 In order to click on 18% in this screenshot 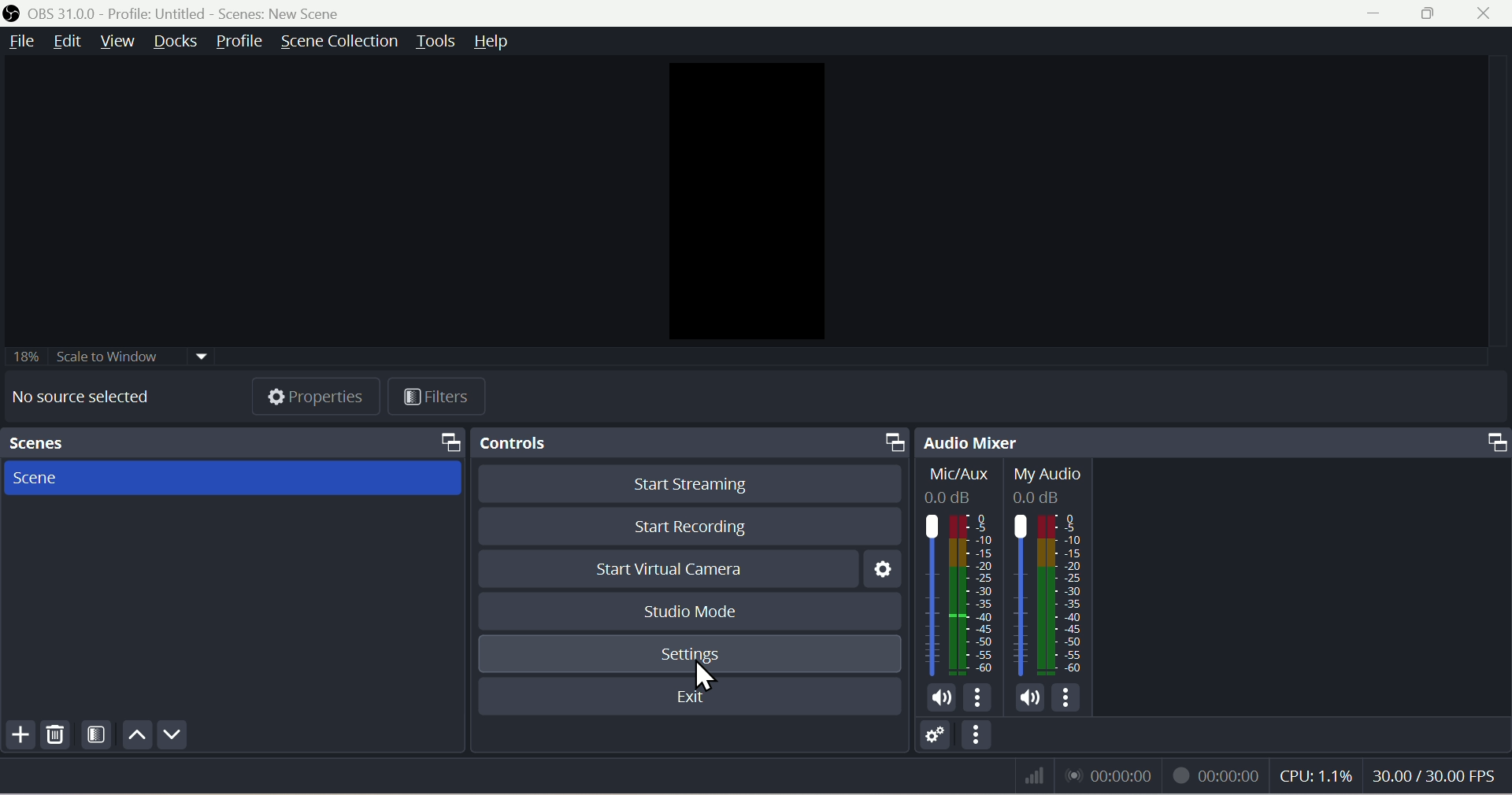, I will do `click(25, 356)`.